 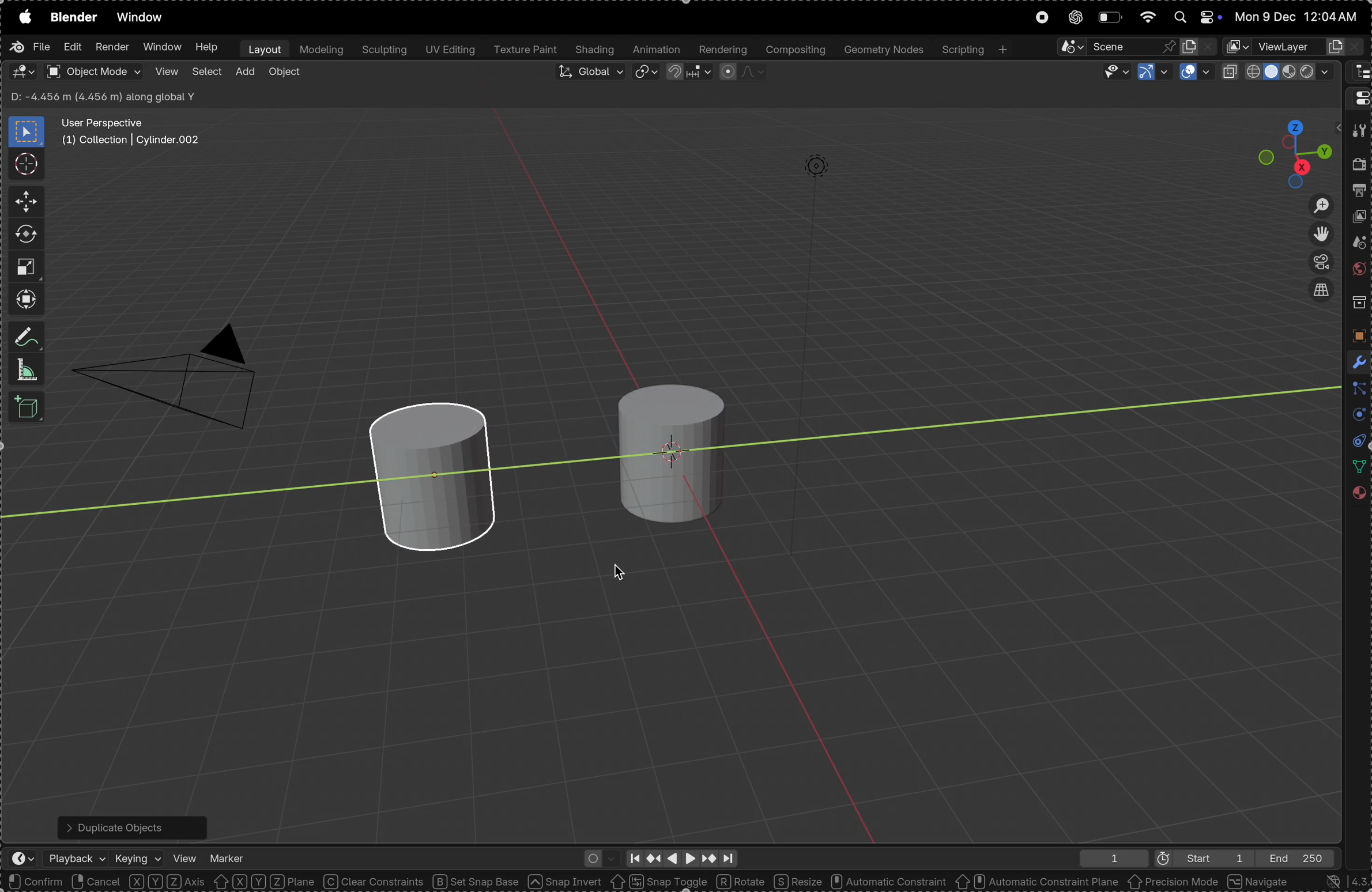 I want to click on apple widgets, so click(x=1193, y=17).